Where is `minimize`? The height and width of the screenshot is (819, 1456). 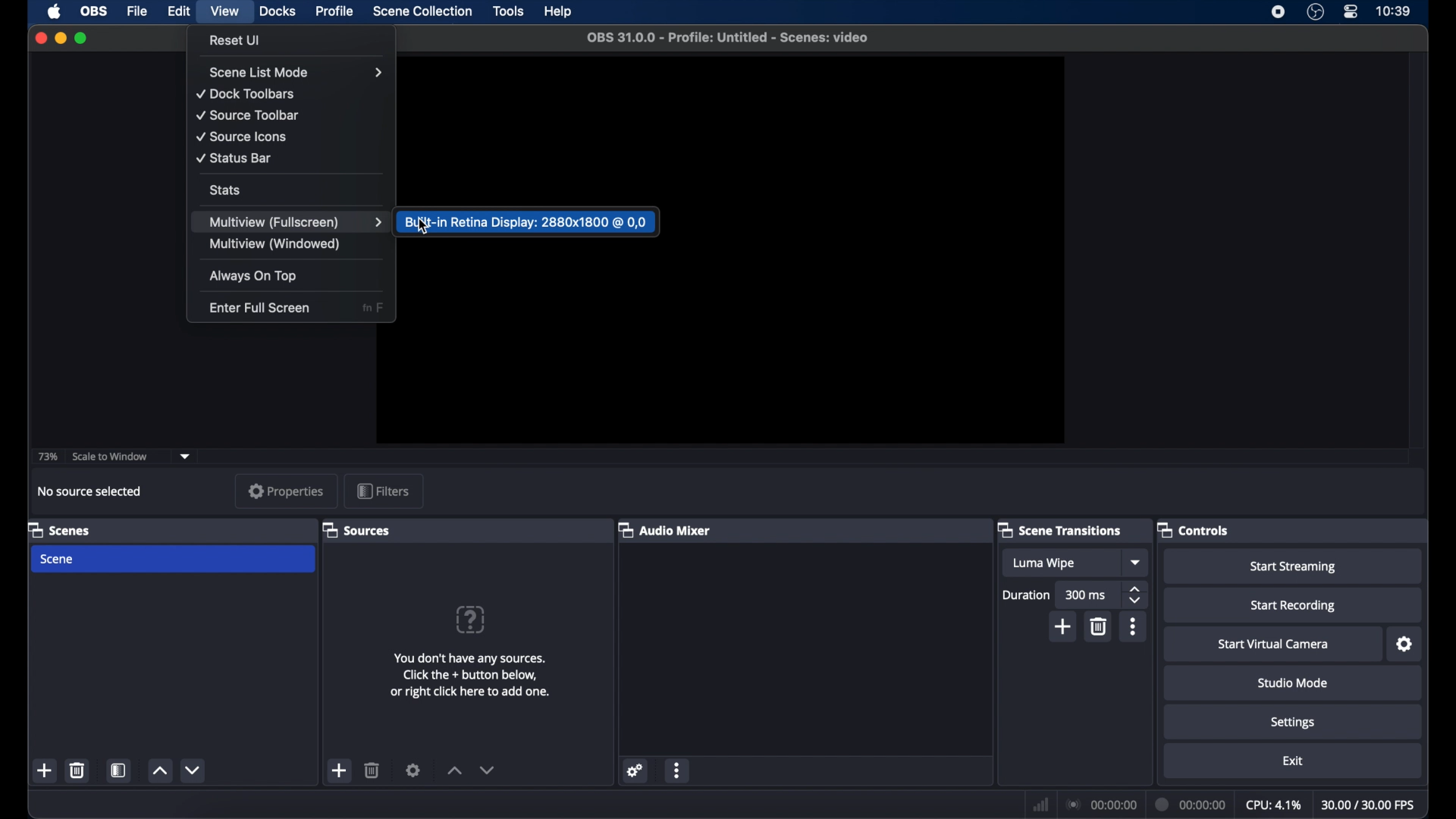 minimize is located at coordinates (60, 38).